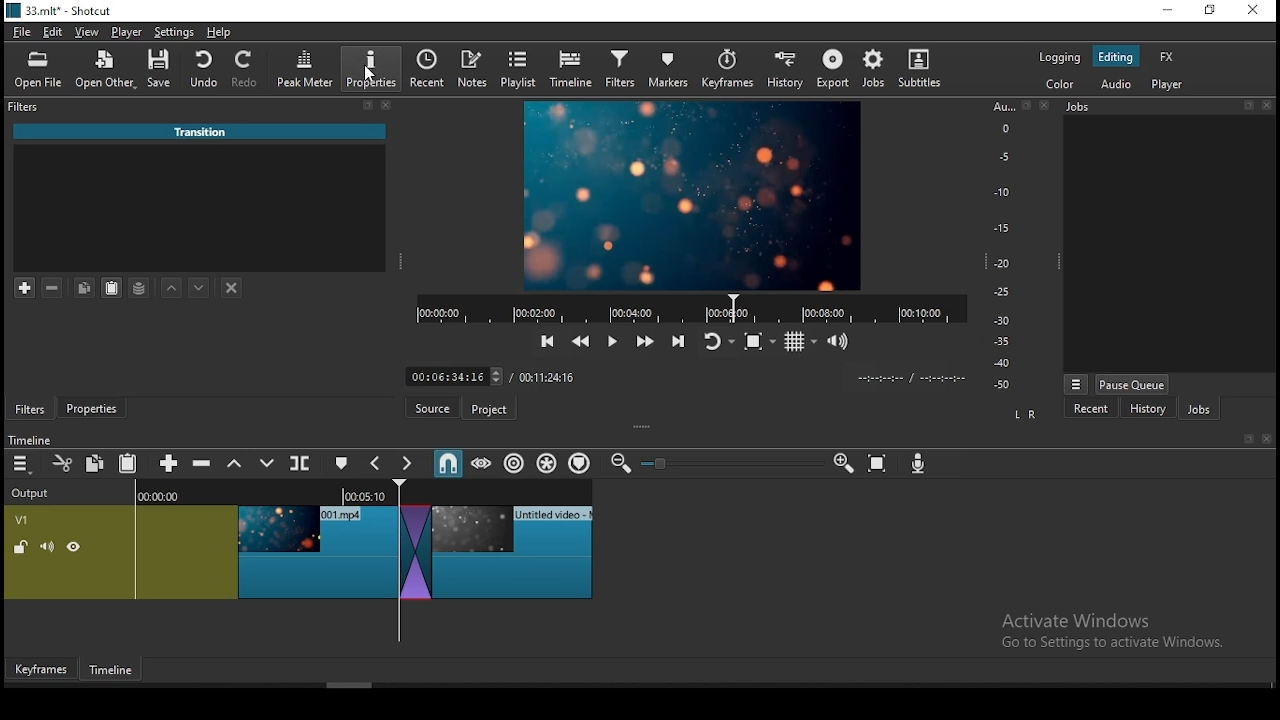  Describe the element at coordinates (1060, 57) in the screenshot. I see `color` at that location.